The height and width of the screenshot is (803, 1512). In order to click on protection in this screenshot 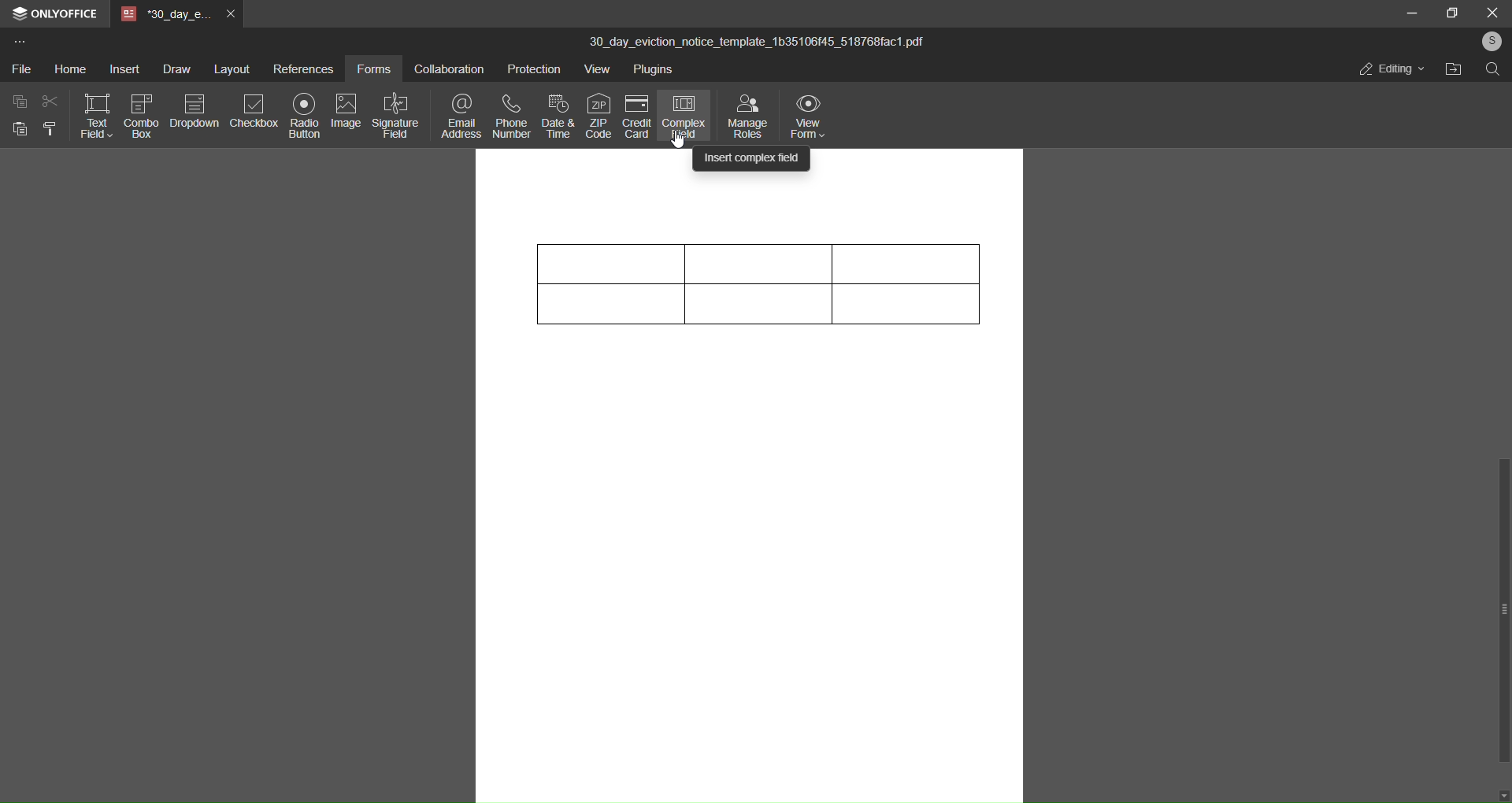, I will do `click(532, 72)`.